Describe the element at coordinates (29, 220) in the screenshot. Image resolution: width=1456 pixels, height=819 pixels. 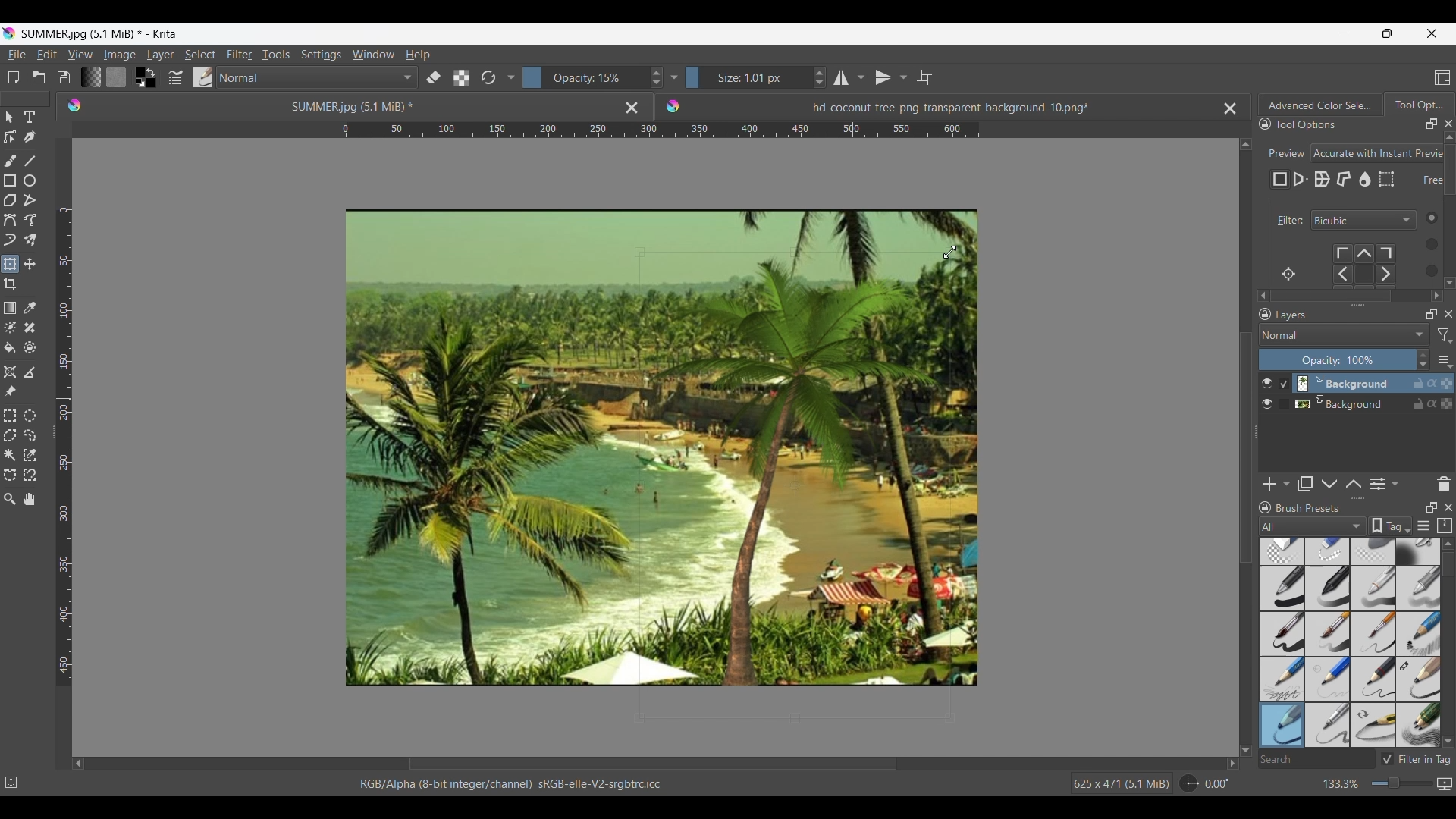
I see `Freehand path tool` at that location.